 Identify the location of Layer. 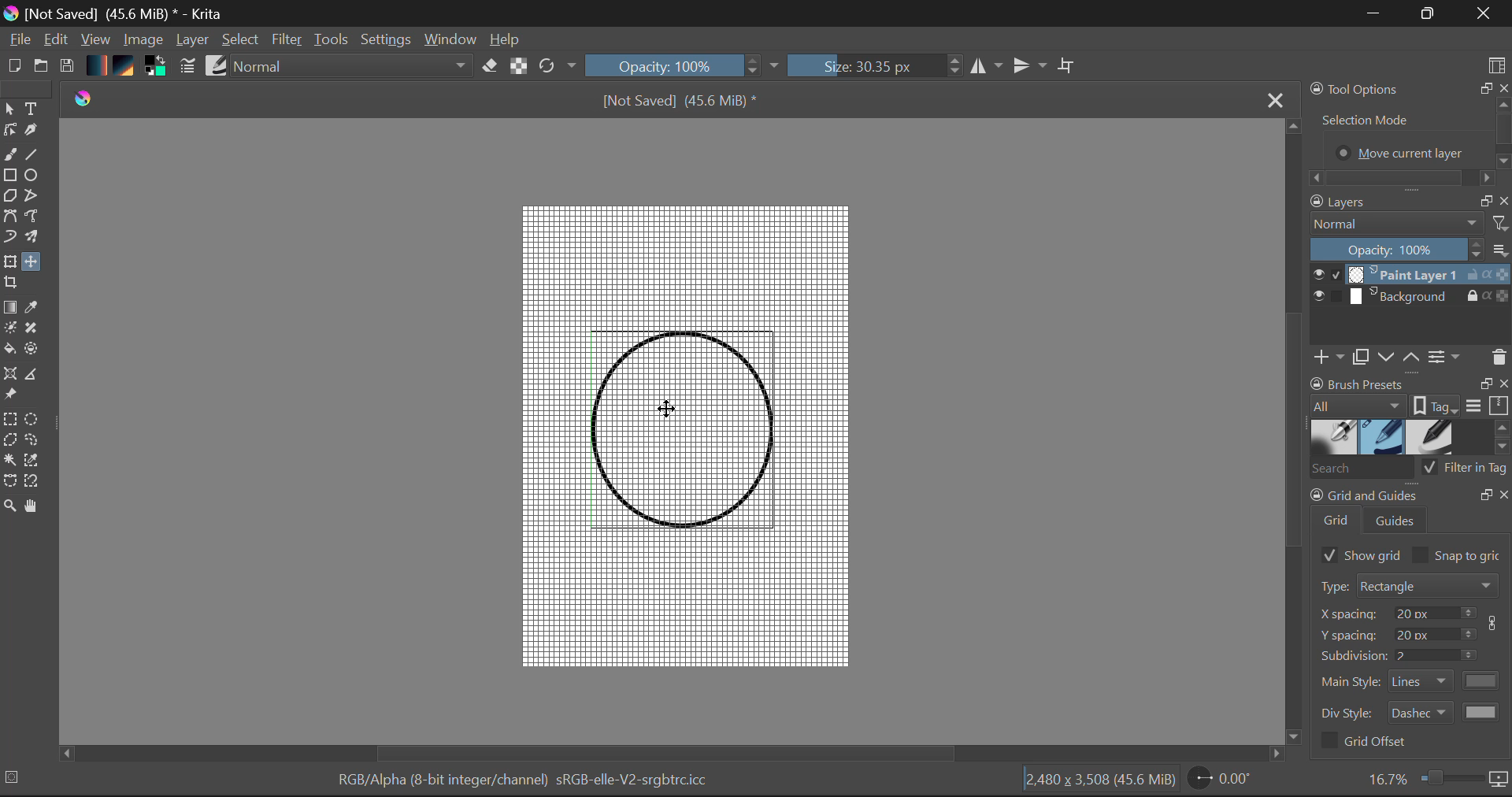
(194, 41).